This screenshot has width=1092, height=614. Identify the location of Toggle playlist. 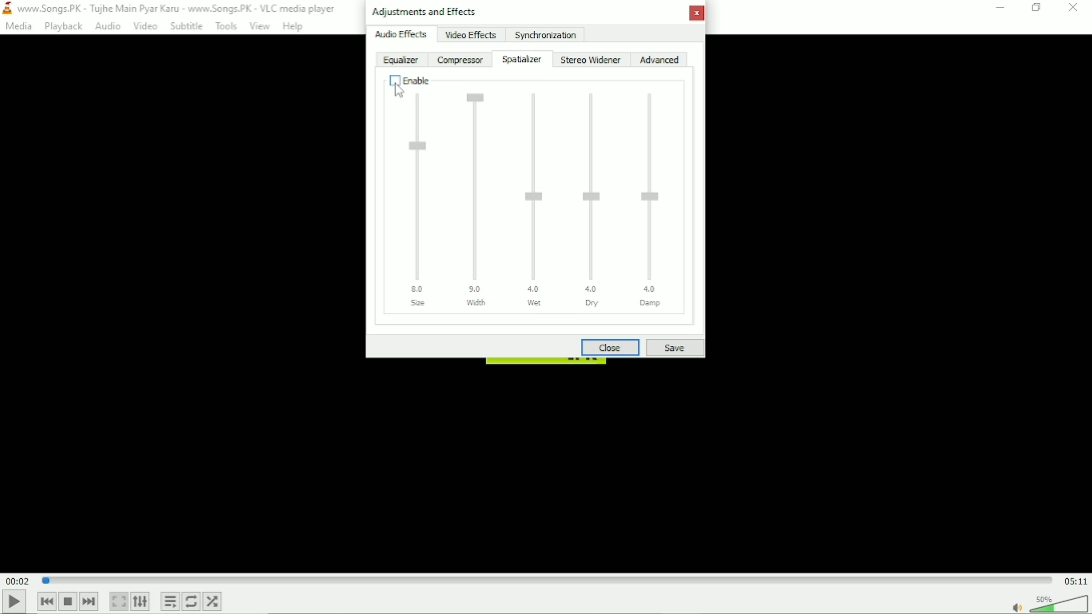
(169, 602).